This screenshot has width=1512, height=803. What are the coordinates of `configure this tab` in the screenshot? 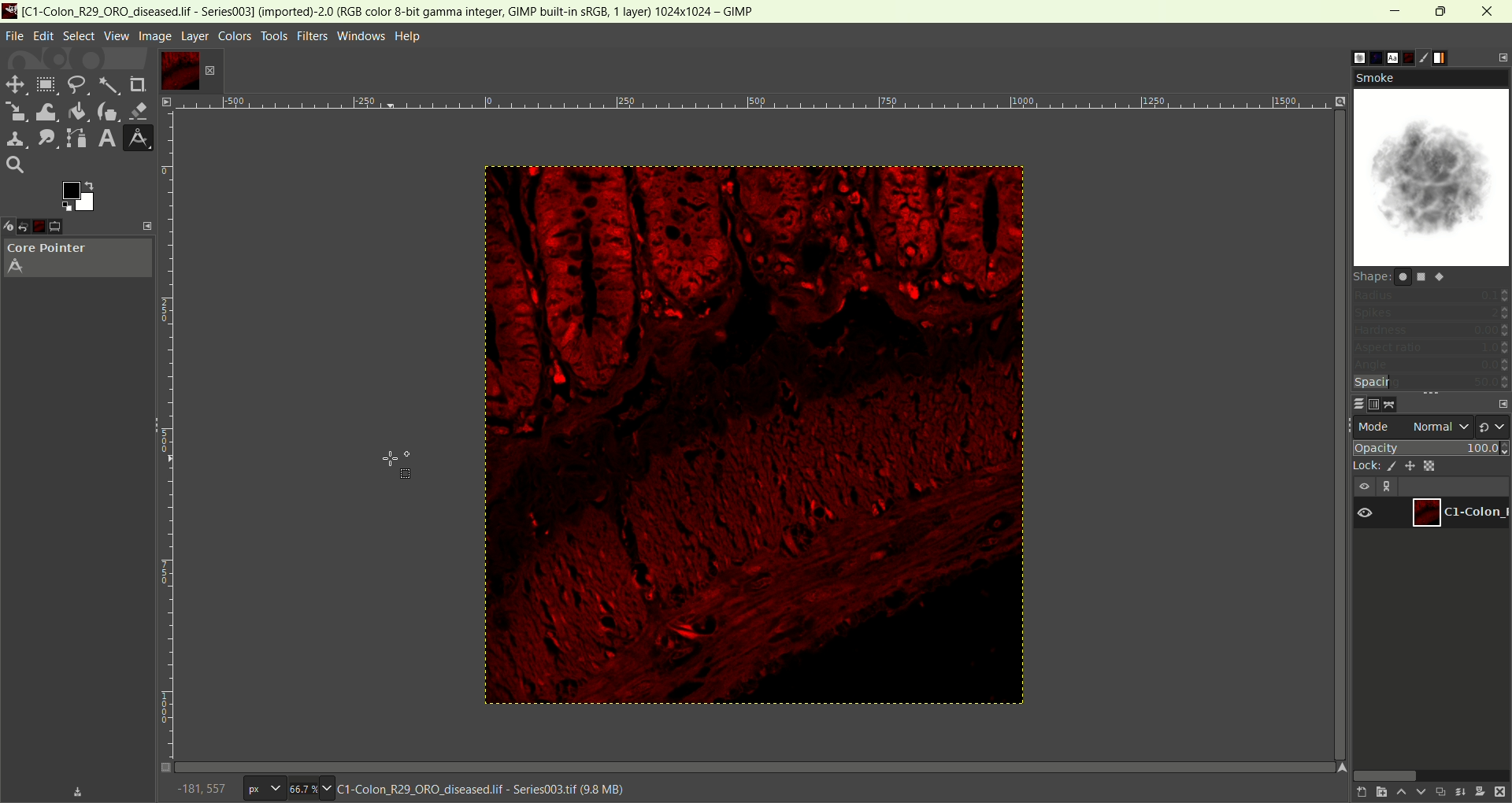 It's located at (1500, 58).